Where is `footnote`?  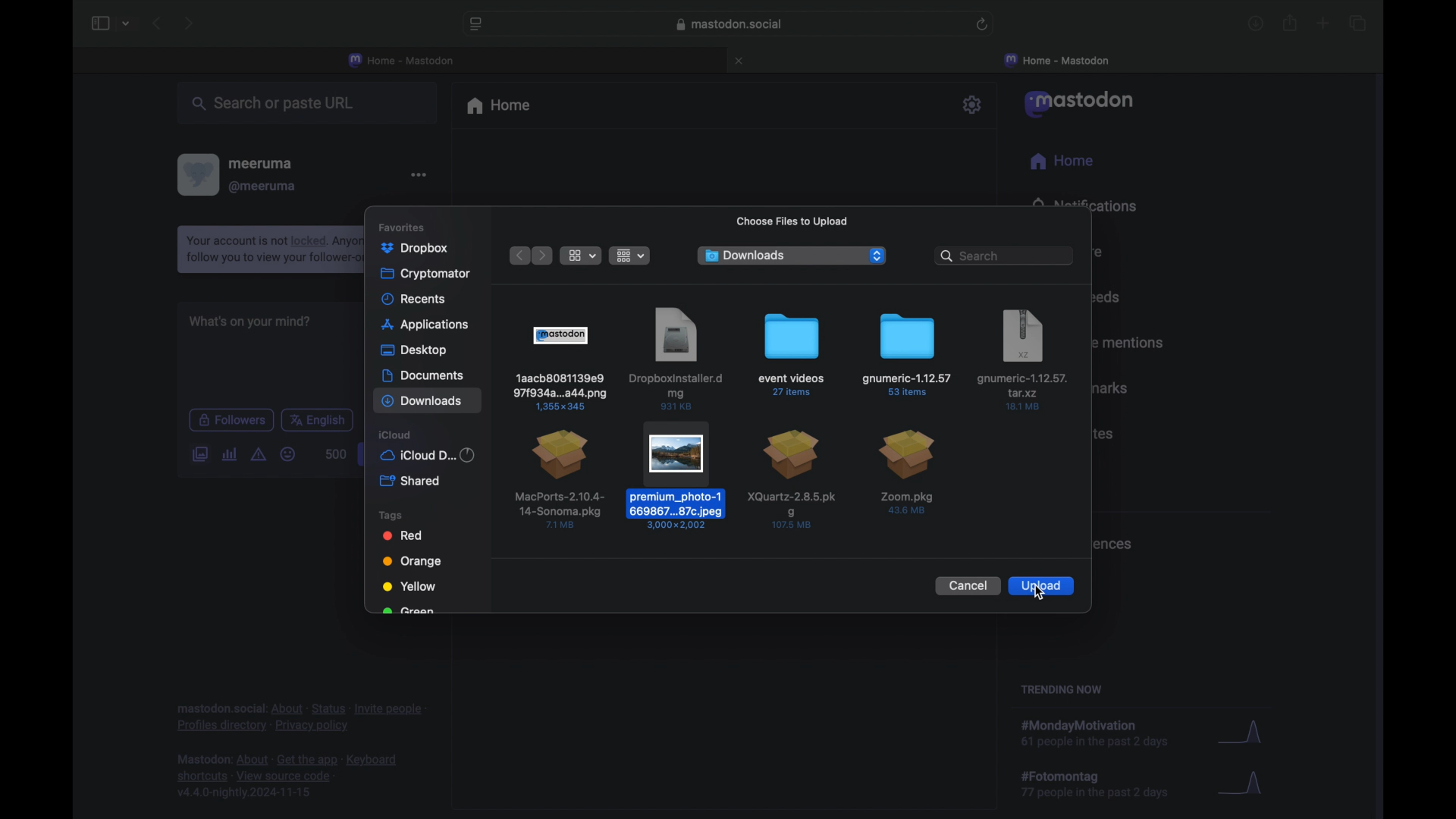 footnote is located at coordinates (287, 777).